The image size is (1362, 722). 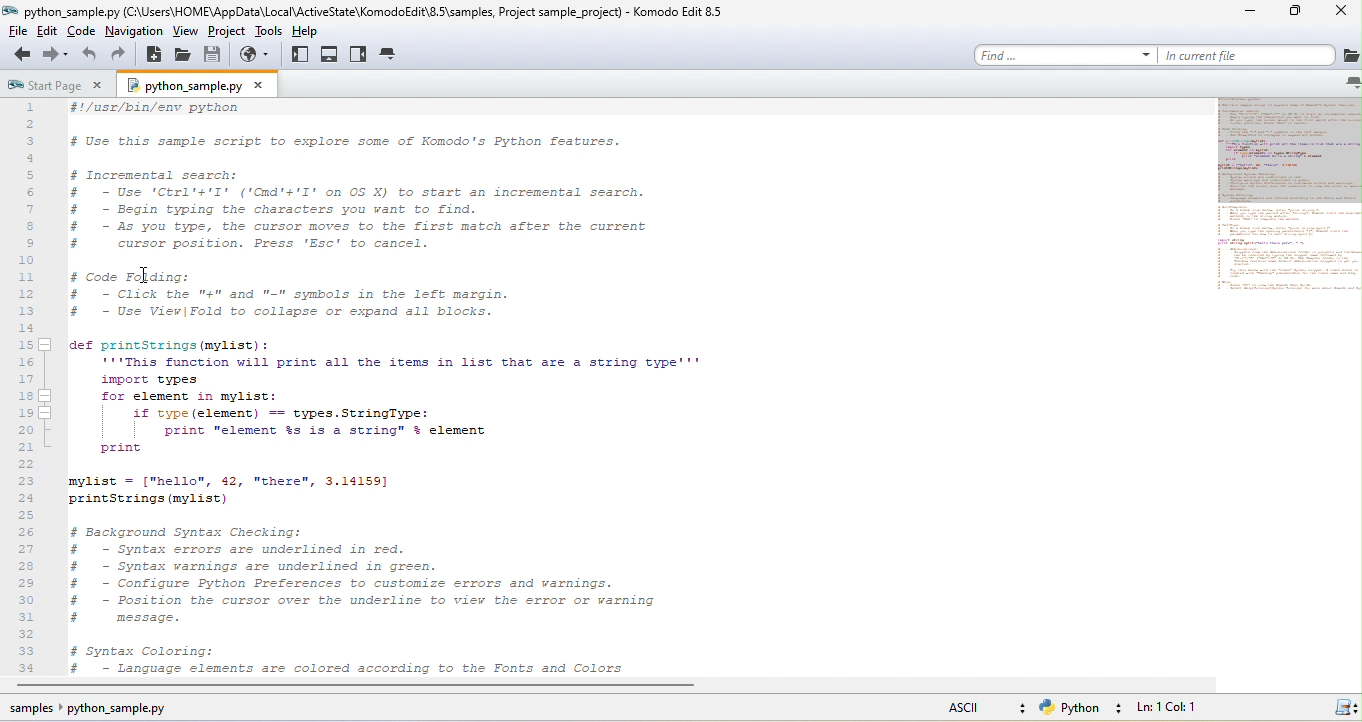 What do you see at coordinates (390, 55) in the screenshot?
I see `tab` at bounding box center [390, 55].